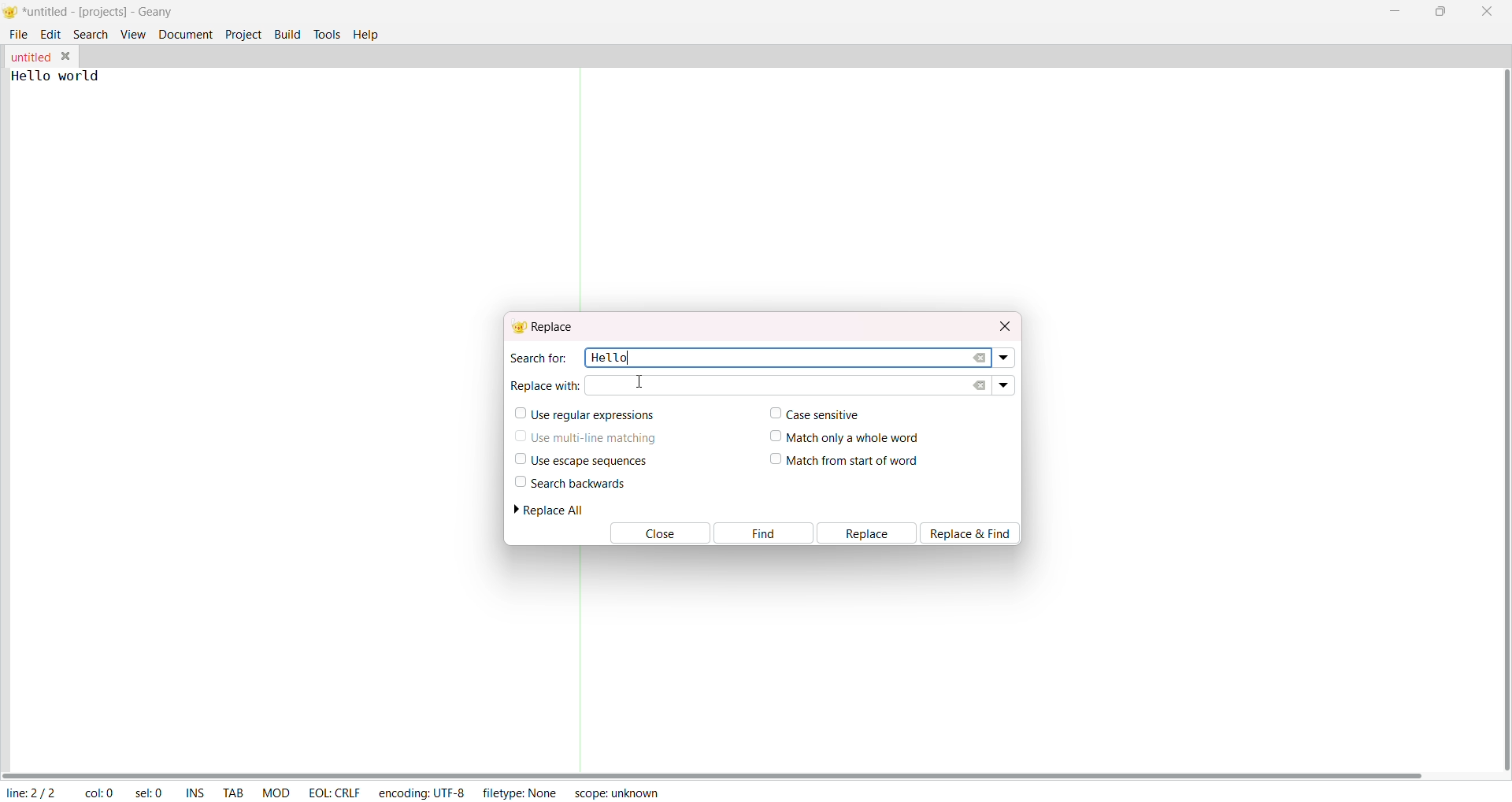 This screenshot has height=802, width=1512. What do you see at coordinates (607, 356) in the screenshot?
I see `hello` at bounding box center [607, 356].